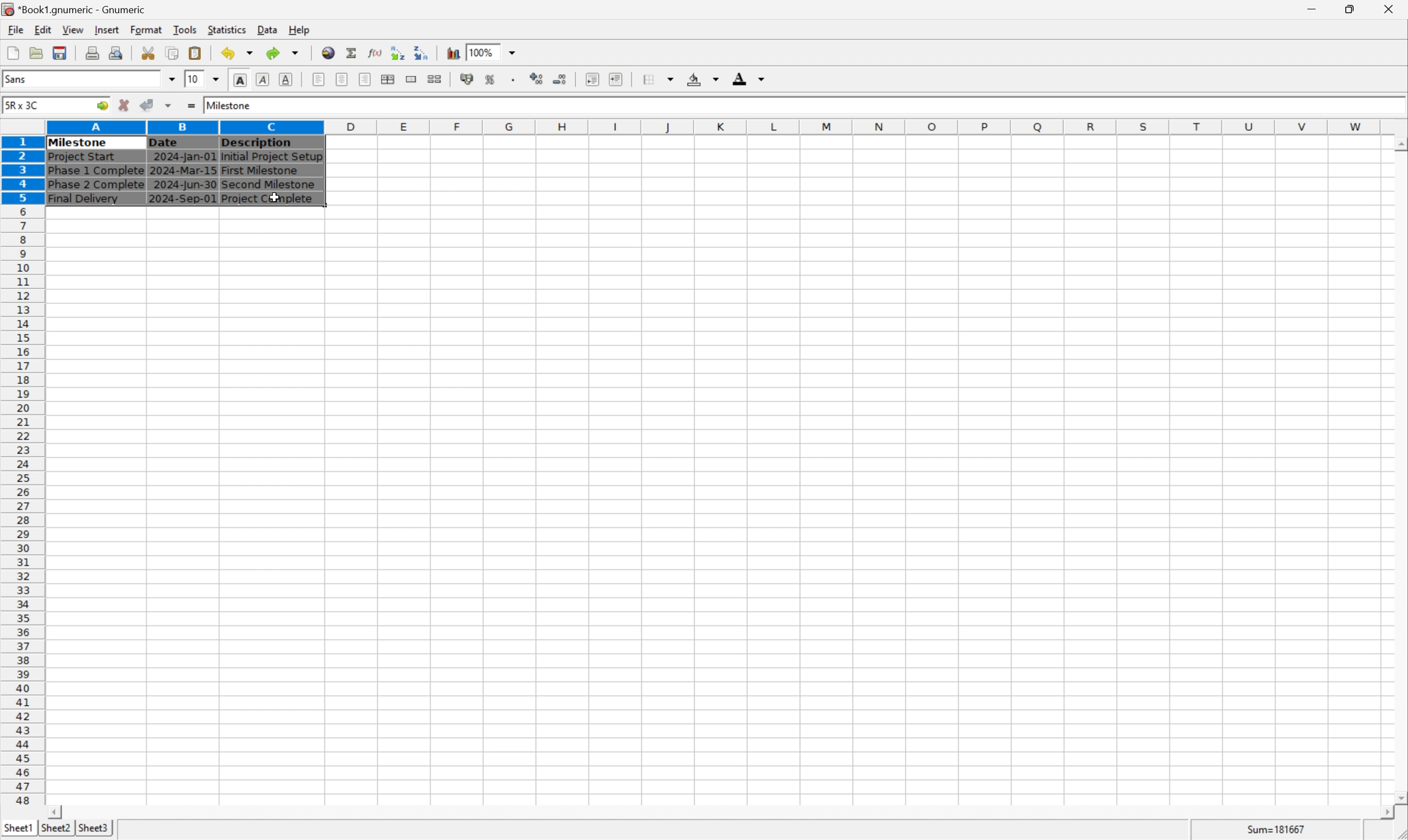  I want to click on insert, so click(106, 31).